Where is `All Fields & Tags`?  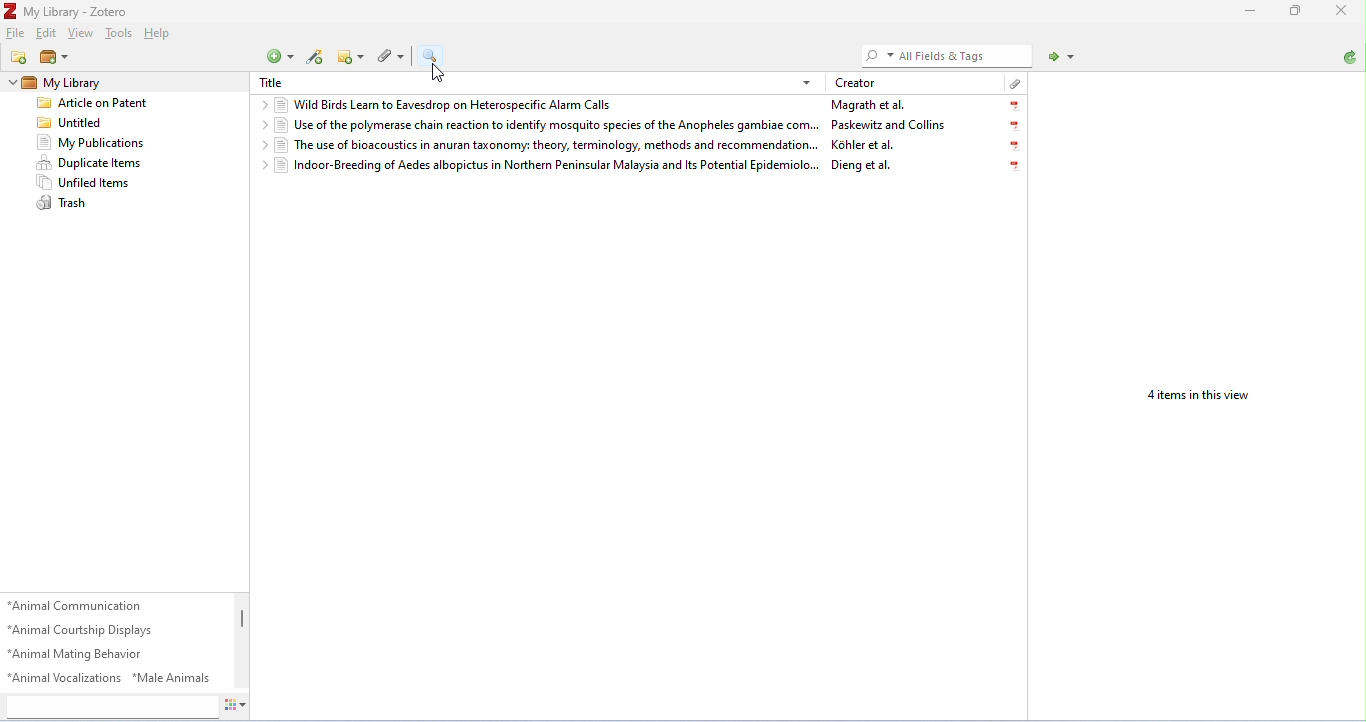 All Fields & Tags is located at coordinates (939, 55).